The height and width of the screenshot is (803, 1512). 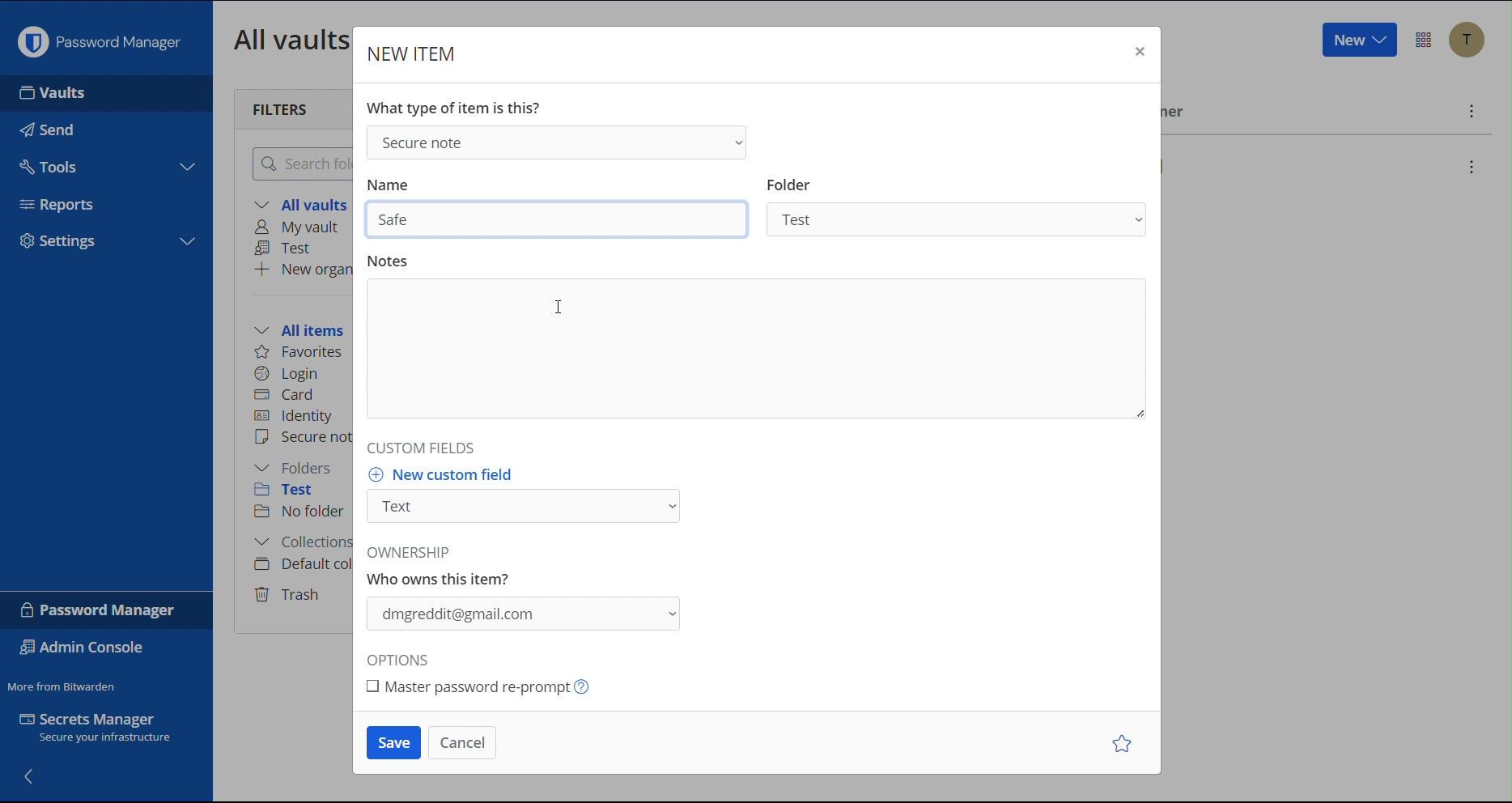 What do you see at coordinates (1358, 40) in the screenshot?
I see `New` at bounding box center [1358, 40].